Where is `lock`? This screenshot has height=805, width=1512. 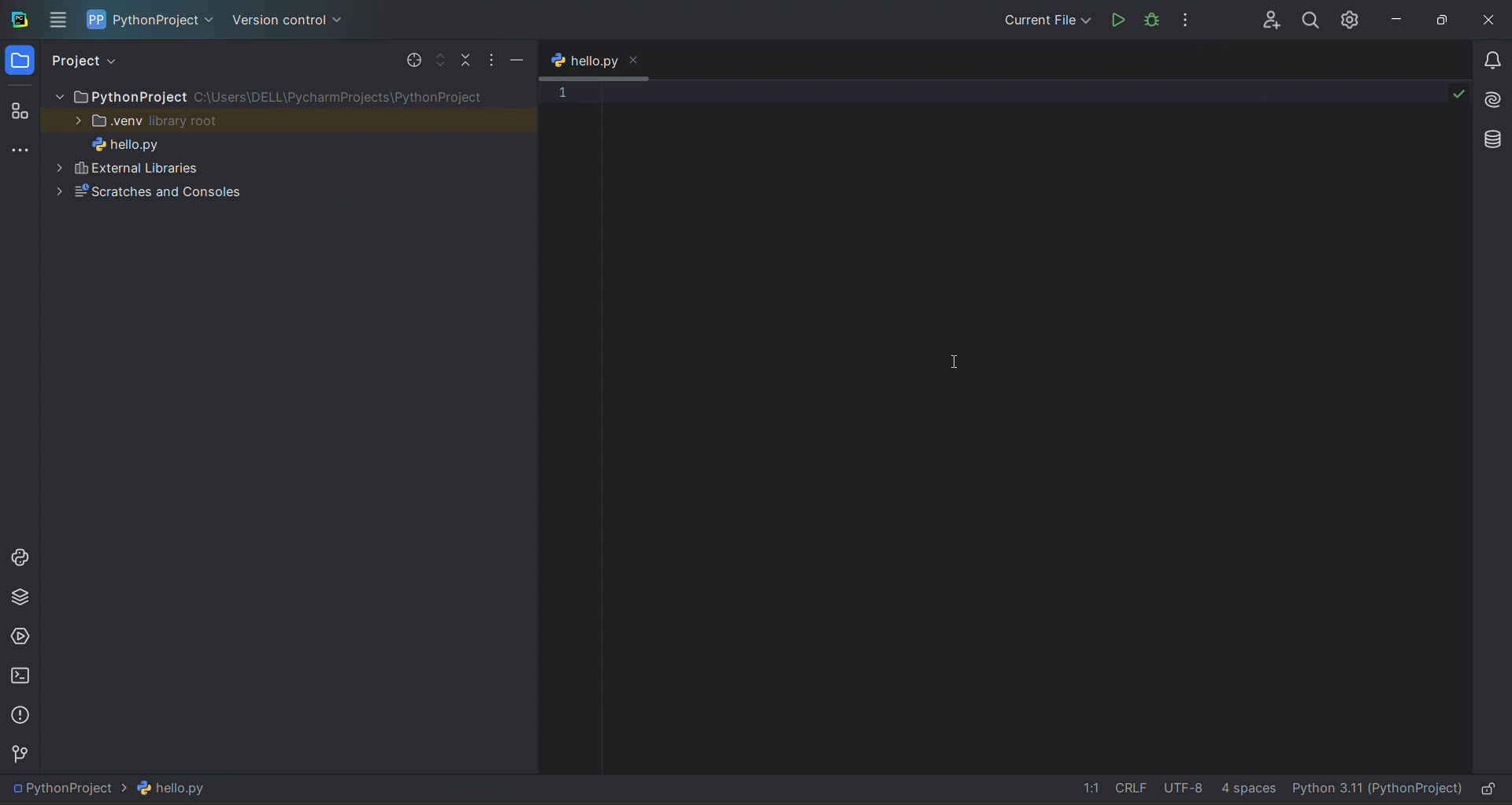
lock is located at coordinates (1487, 793).